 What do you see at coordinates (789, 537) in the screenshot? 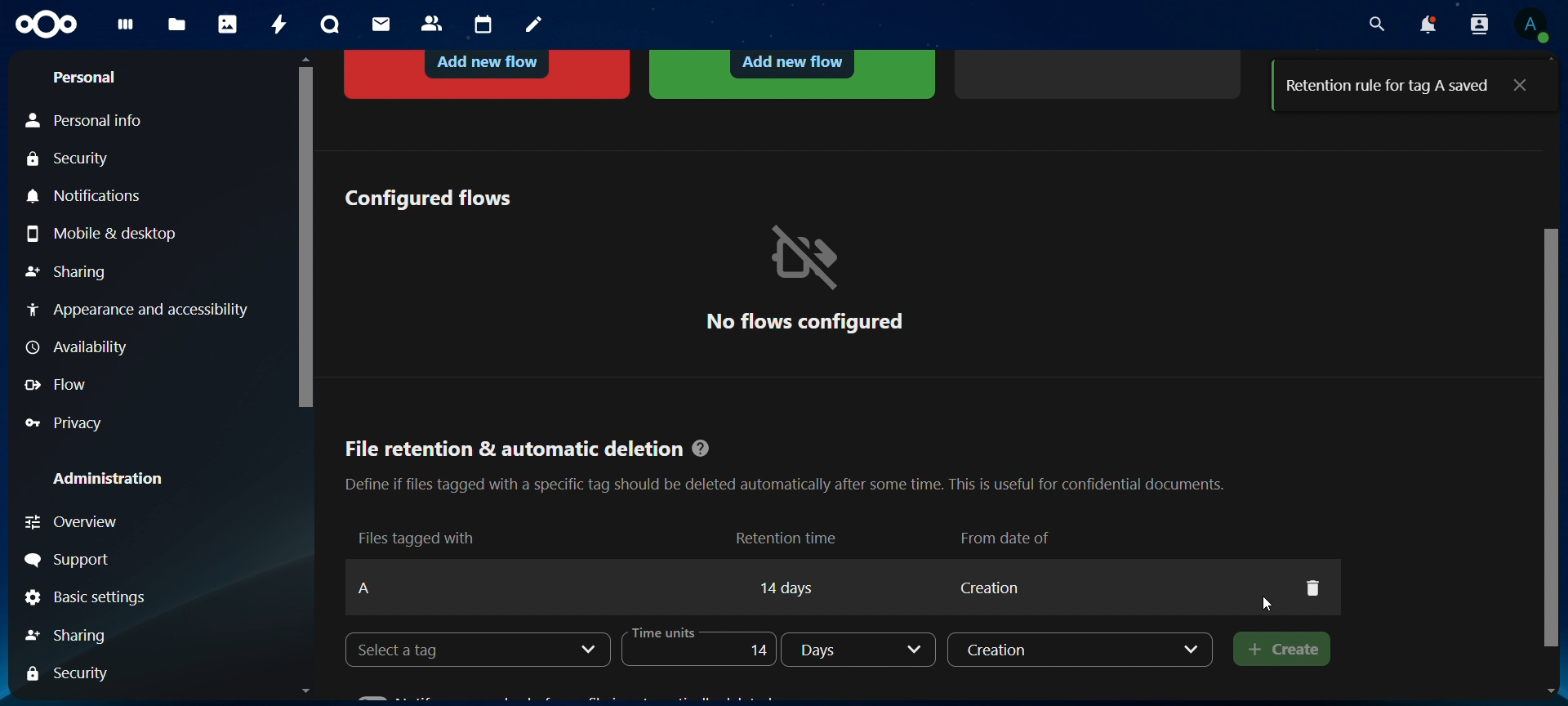
I see `retention time` at bounding box center [789, 537].